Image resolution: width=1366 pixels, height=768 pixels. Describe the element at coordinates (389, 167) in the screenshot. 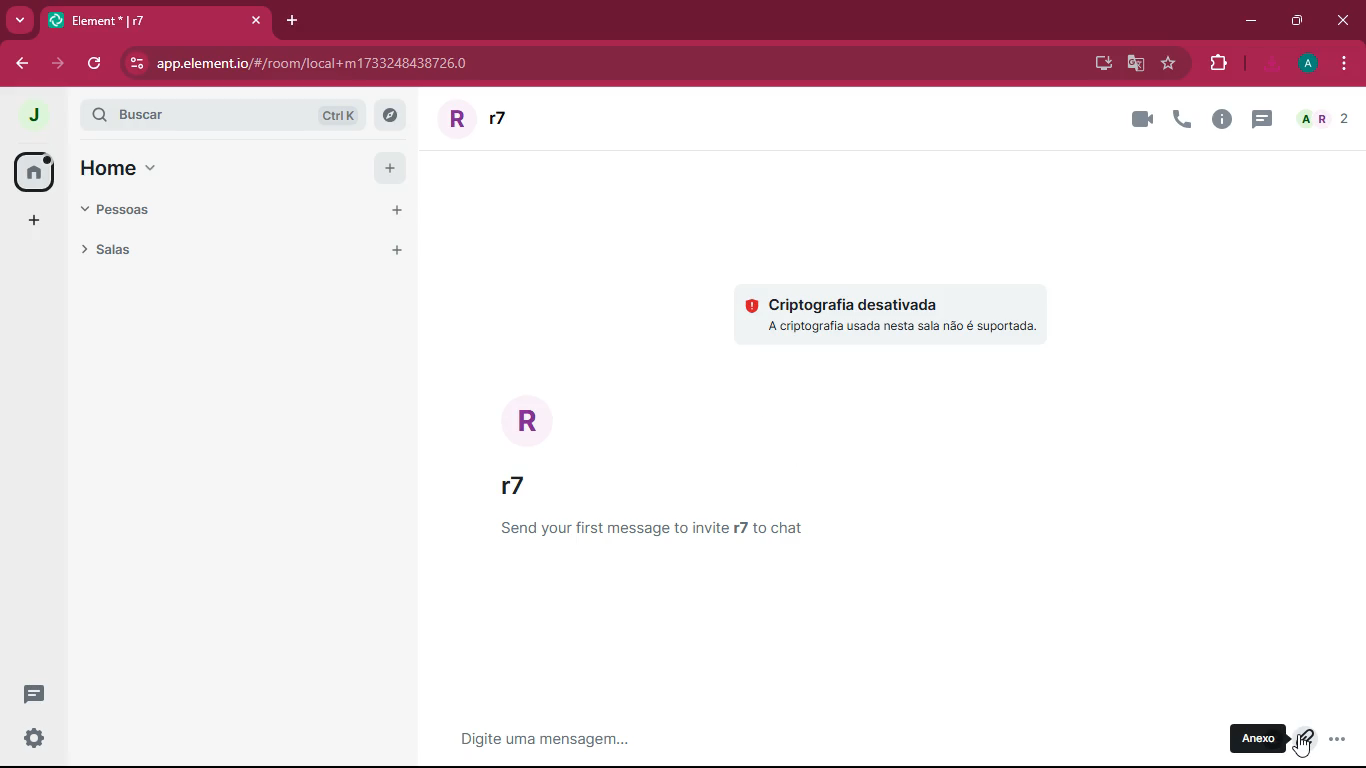

I see `add` at that location.